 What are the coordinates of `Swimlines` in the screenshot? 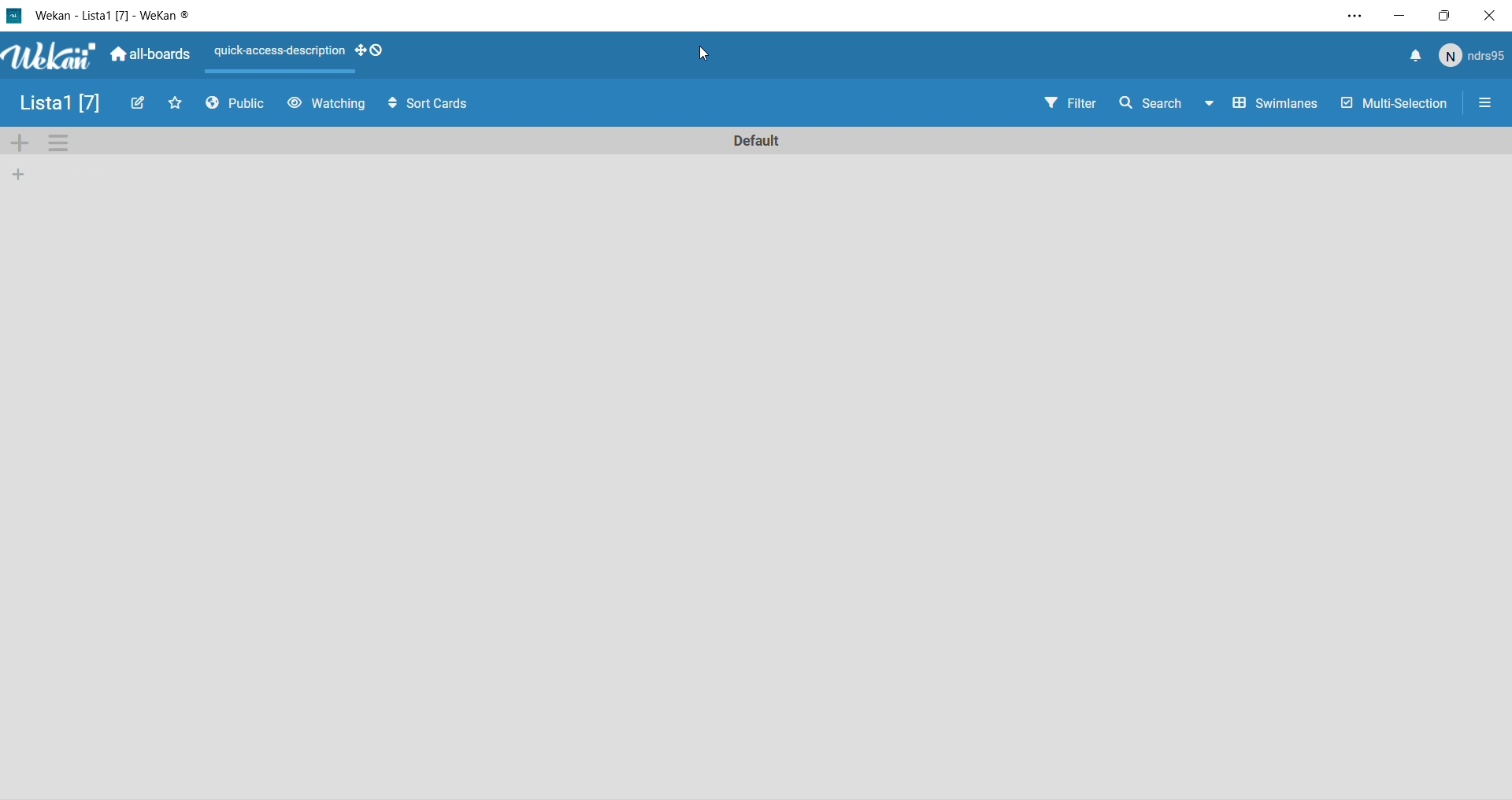 It's located at (1262, 106).